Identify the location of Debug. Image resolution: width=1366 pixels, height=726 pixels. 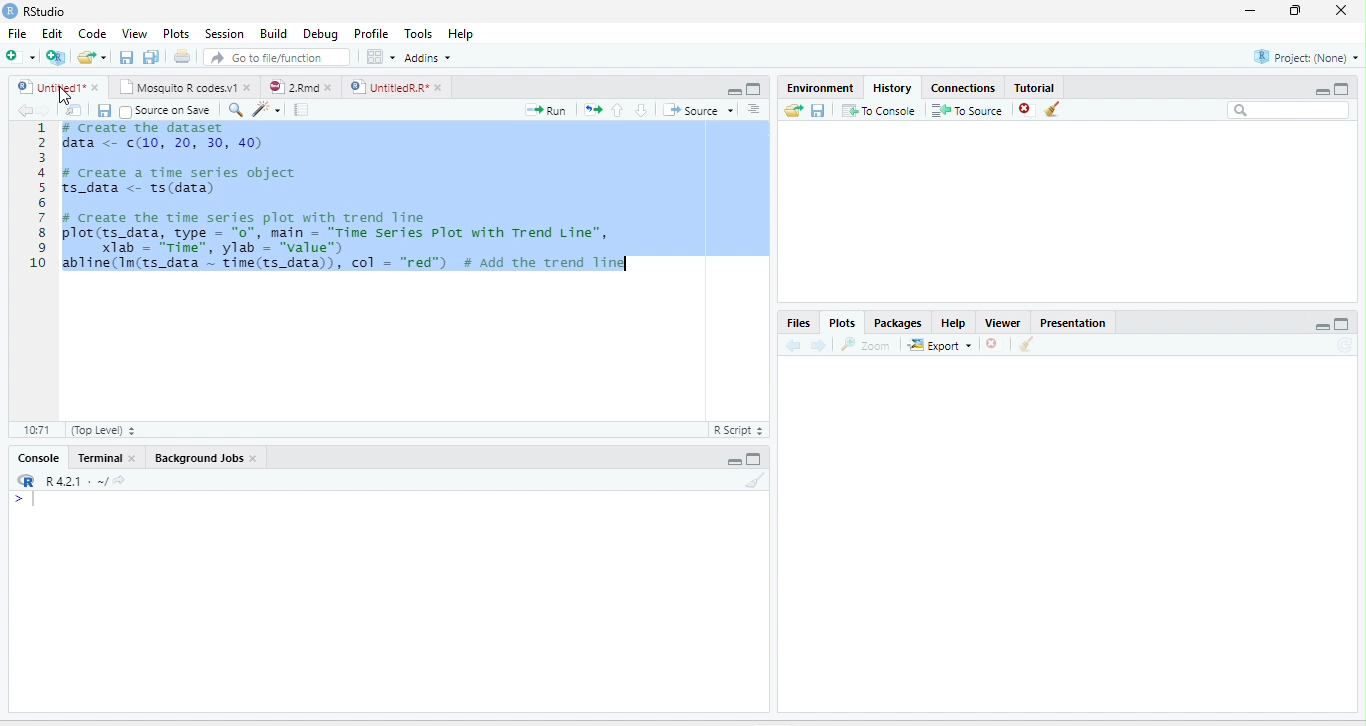
(320, 34).